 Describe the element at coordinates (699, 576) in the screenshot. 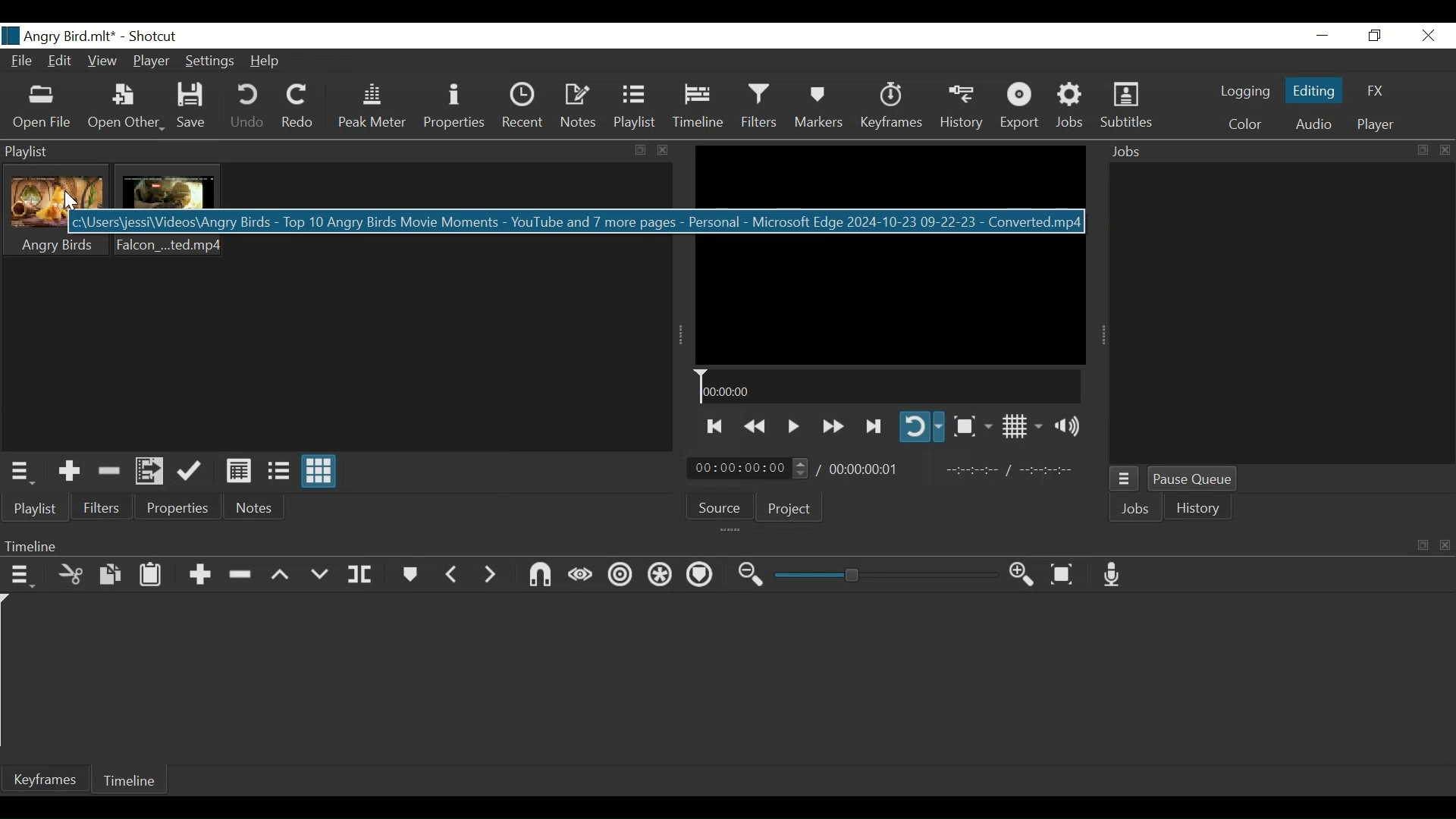

I see `Ripple markers` at that location.